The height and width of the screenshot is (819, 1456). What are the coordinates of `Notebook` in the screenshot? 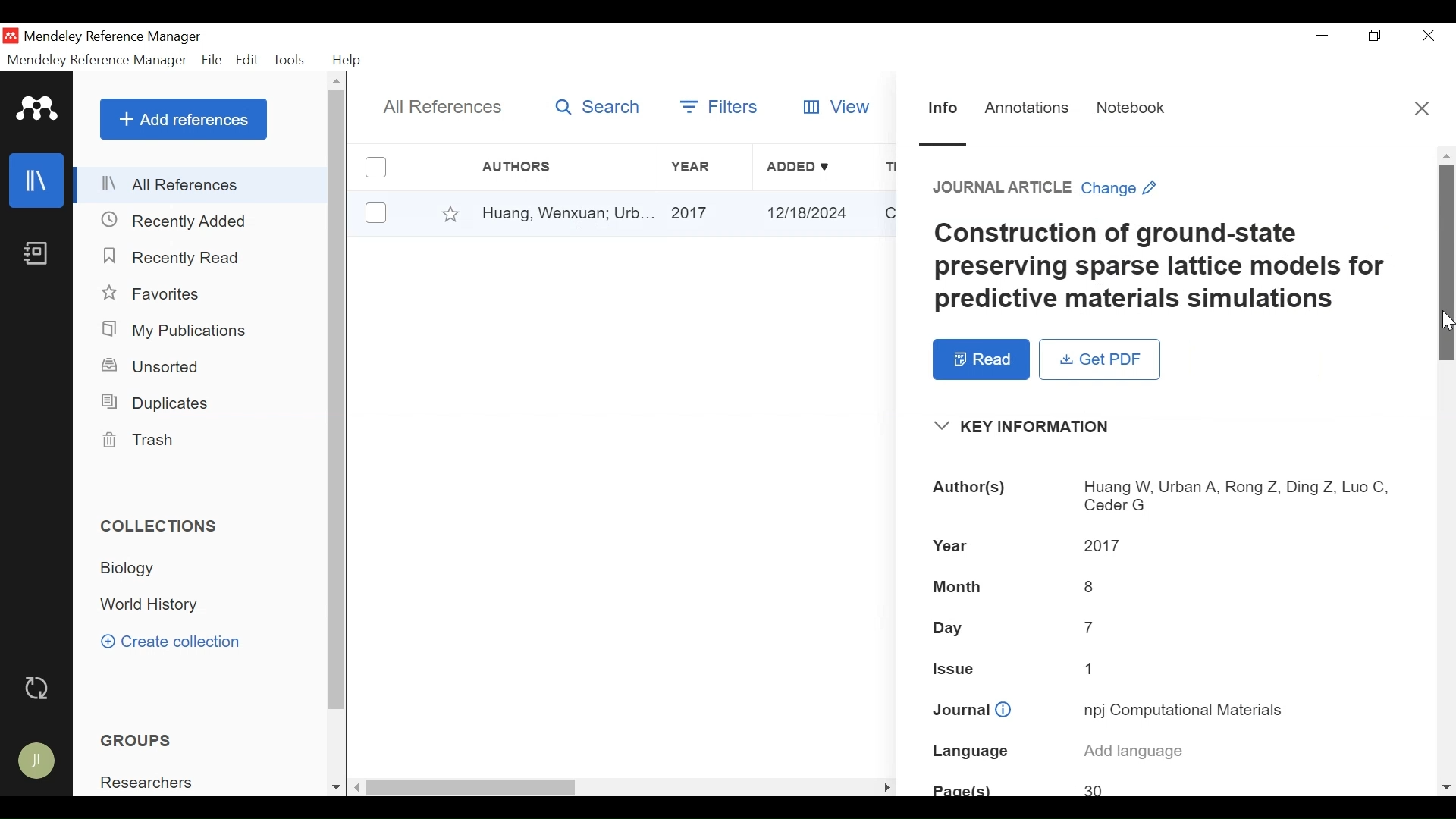 It's located at (39, 255).